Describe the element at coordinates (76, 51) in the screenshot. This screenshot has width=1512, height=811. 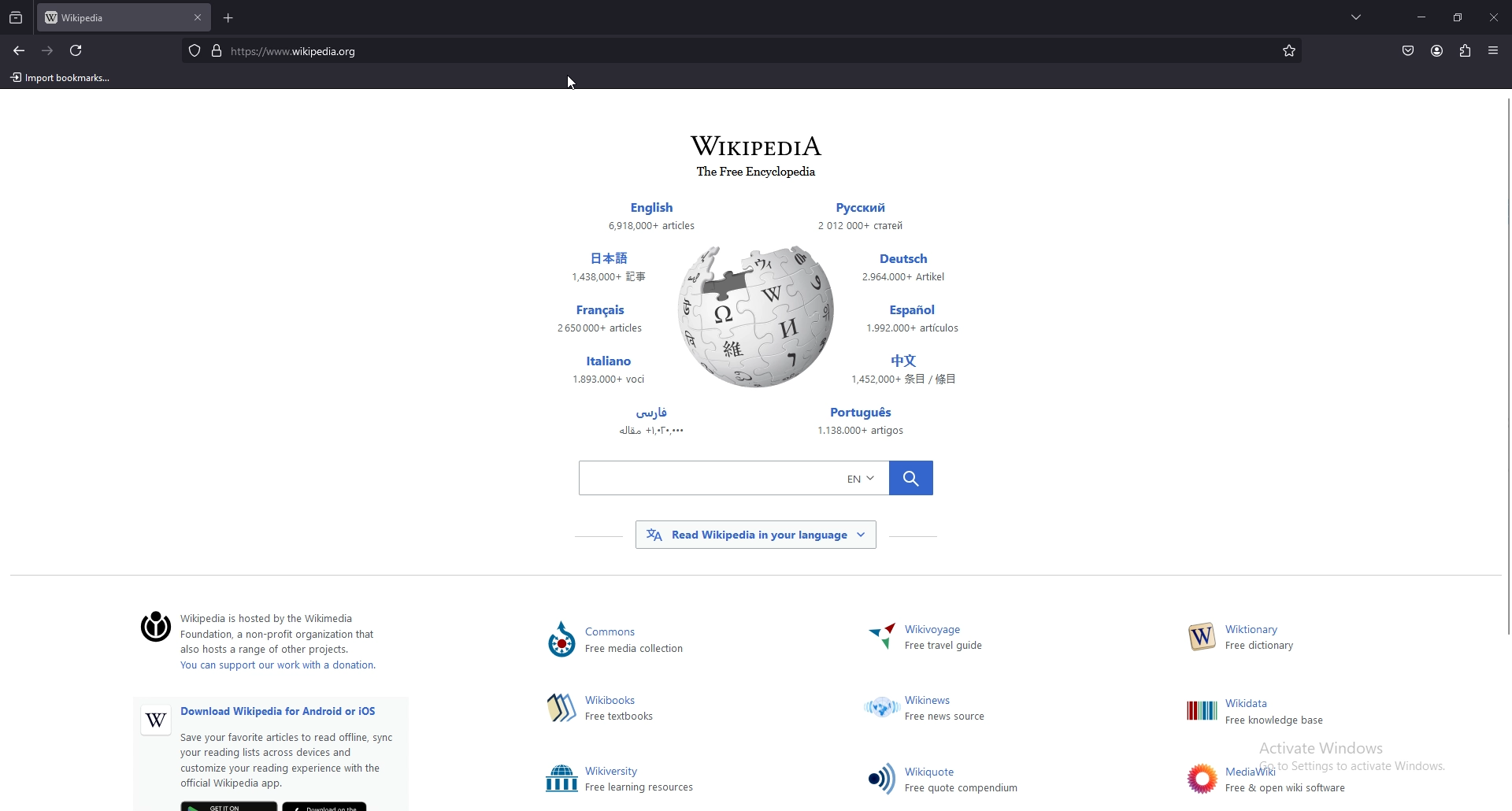
I see `refresh` at that location.